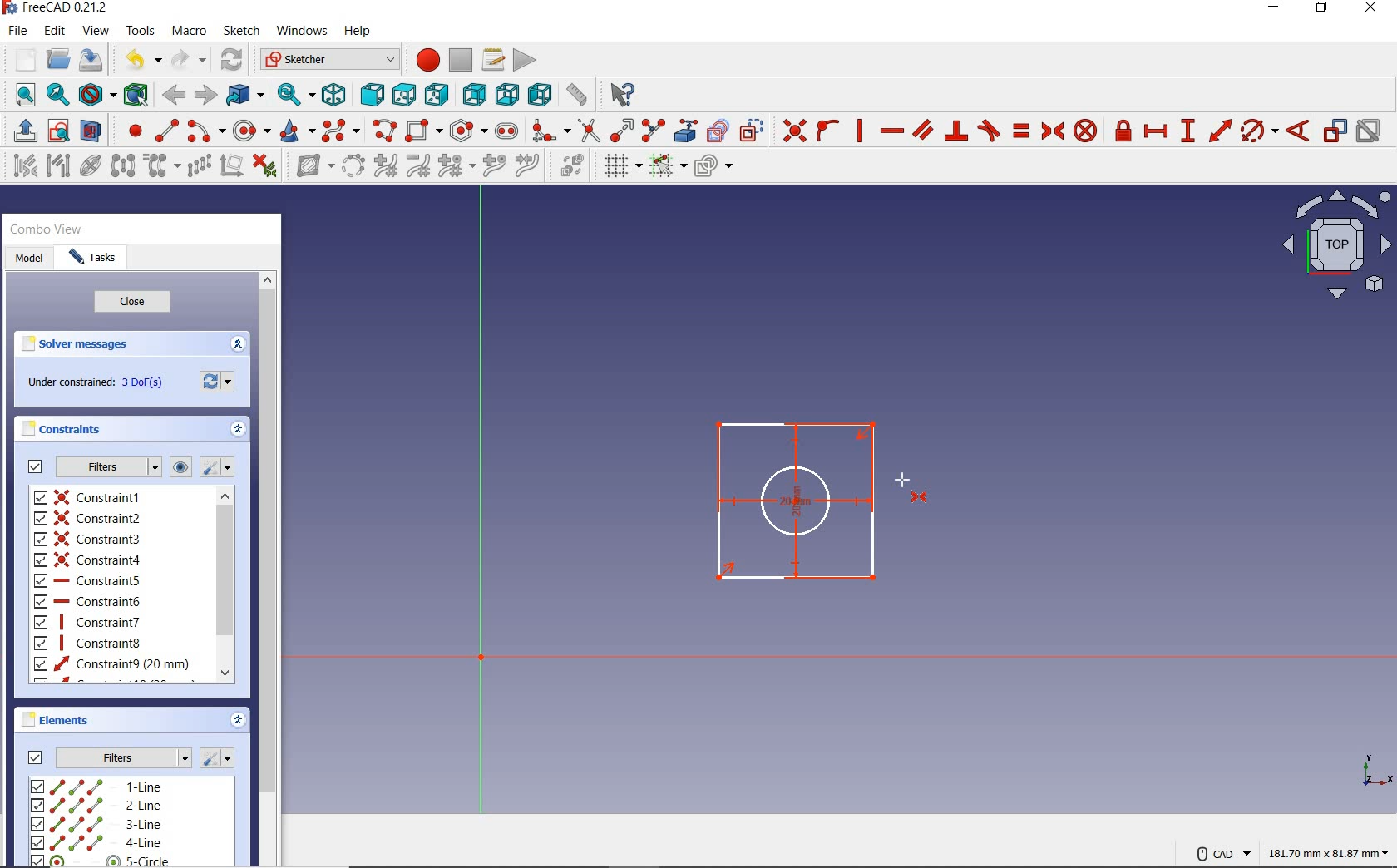 The width and height of the screenshot is (1397, 868). What do you see at coordinates (131, 129) in the screenshot?
I see `create point` at bounding box center [131, 129].